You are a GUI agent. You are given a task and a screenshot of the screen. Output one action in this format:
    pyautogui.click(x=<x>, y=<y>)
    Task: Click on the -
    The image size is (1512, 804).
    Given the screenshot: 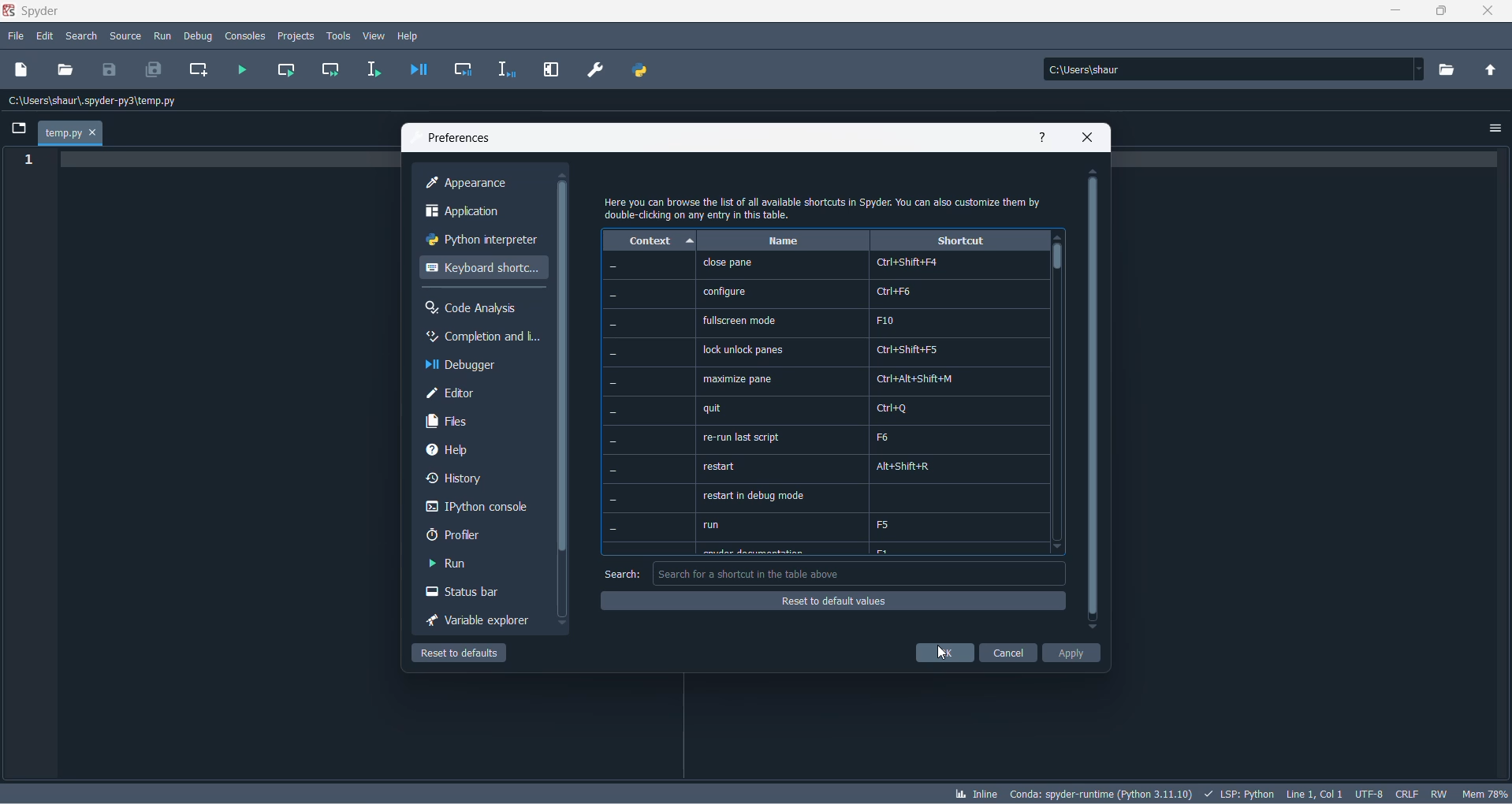 What is the action you would take?
    pyautogui.click(x=615, y=529)
    